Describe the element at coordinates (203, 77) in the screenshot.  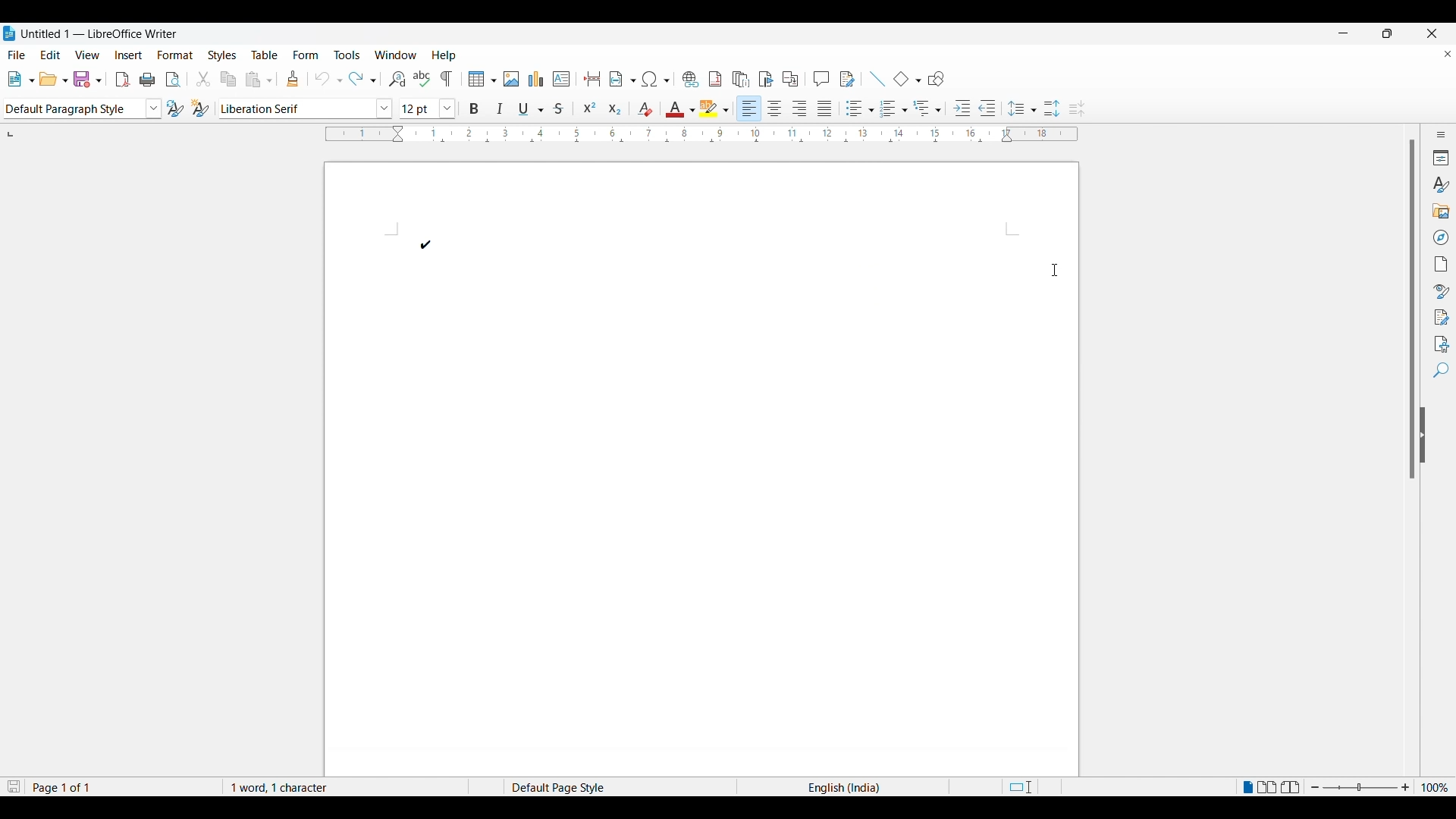
I see `cut` at that location.